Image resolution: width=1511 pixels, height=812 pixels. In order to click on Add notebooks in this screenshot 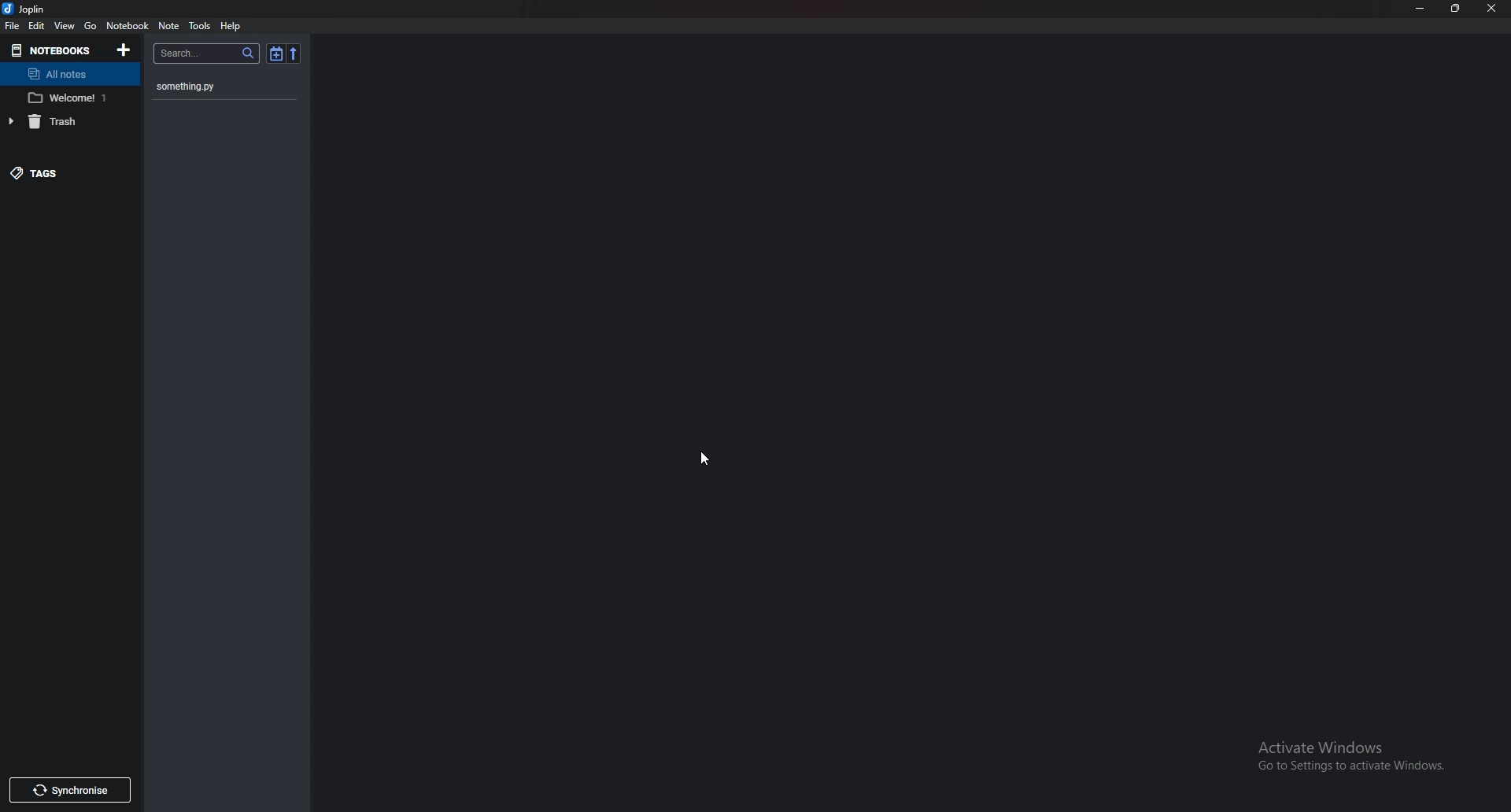, I will do `click(125, 50)`.